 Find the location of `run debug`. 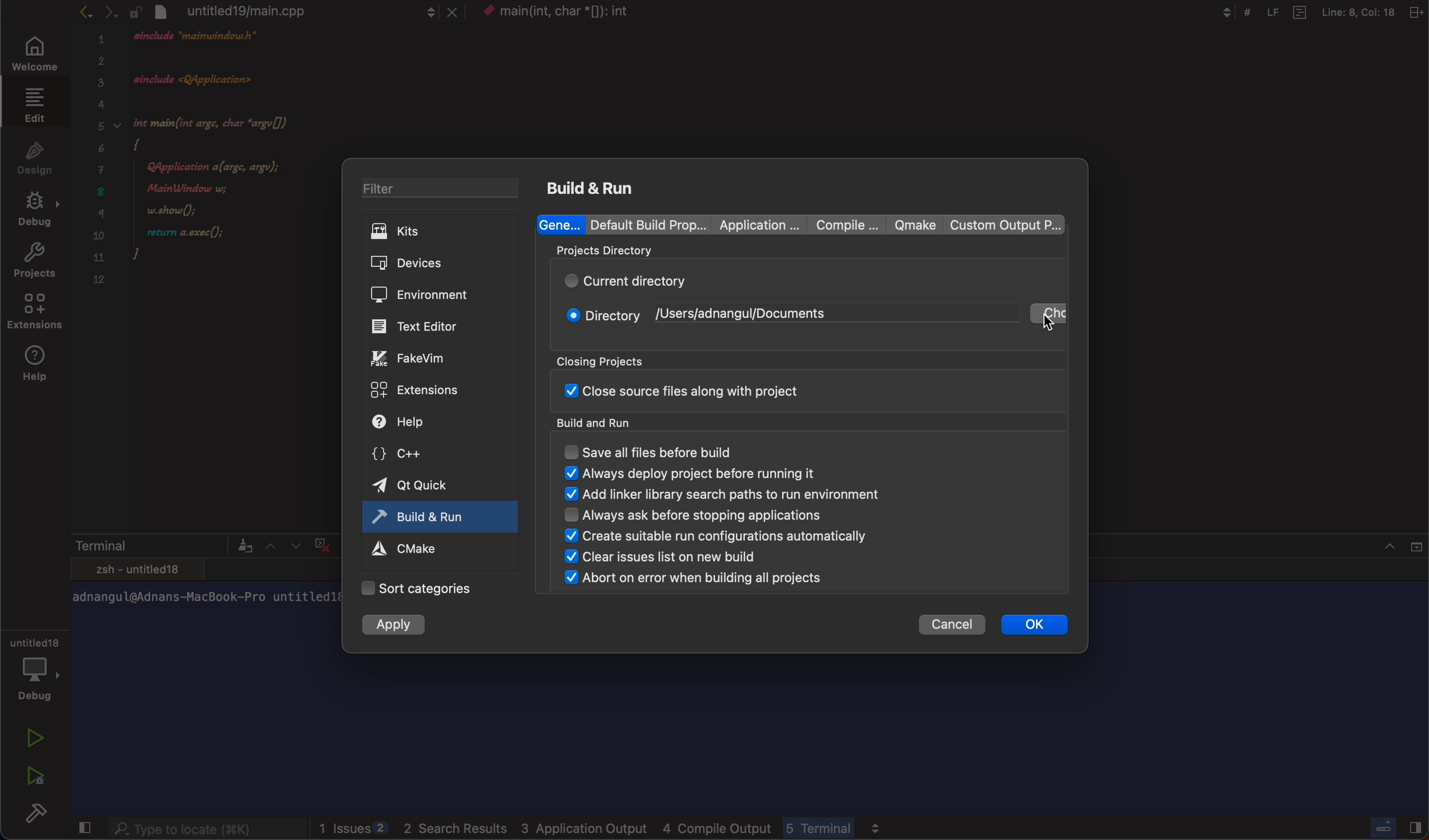

run debug is located at coordinates (33, 773).